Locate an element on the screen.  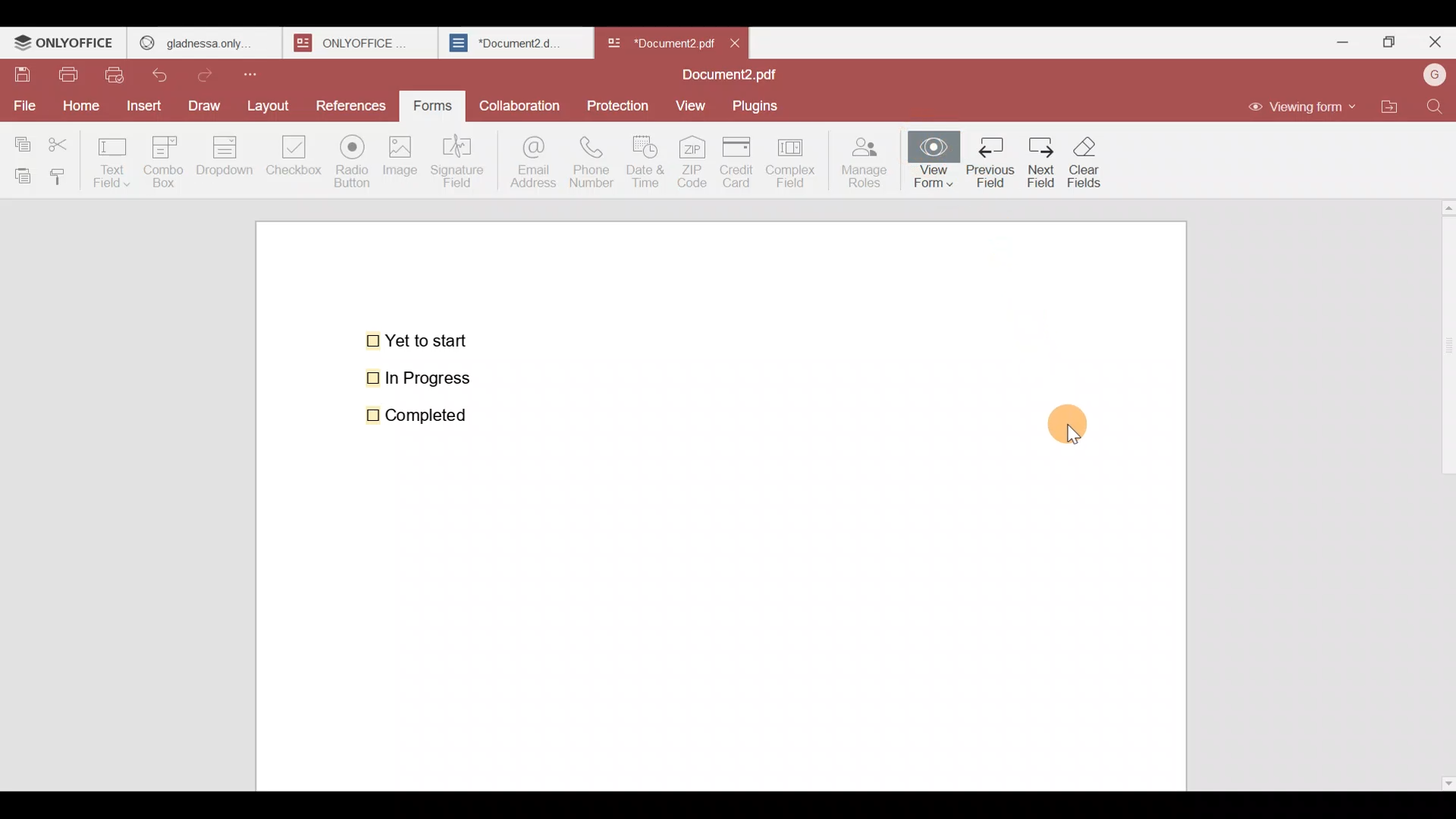
Close is located at coordinates (742, 42).